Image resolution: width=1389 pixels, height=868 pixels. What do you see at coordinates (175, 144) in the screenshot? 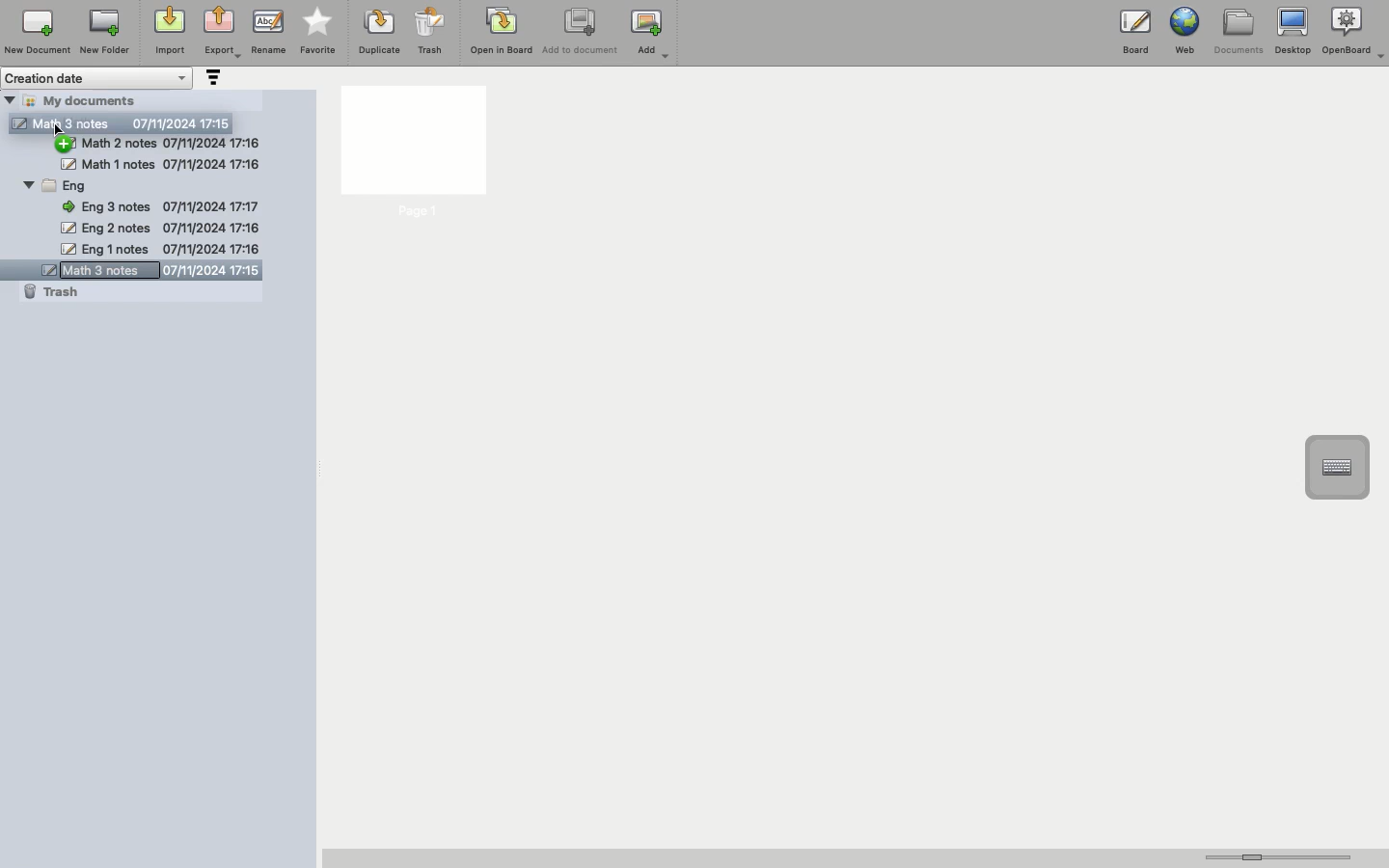
I see `Math 2 notes` at bounding box center [175, 144].